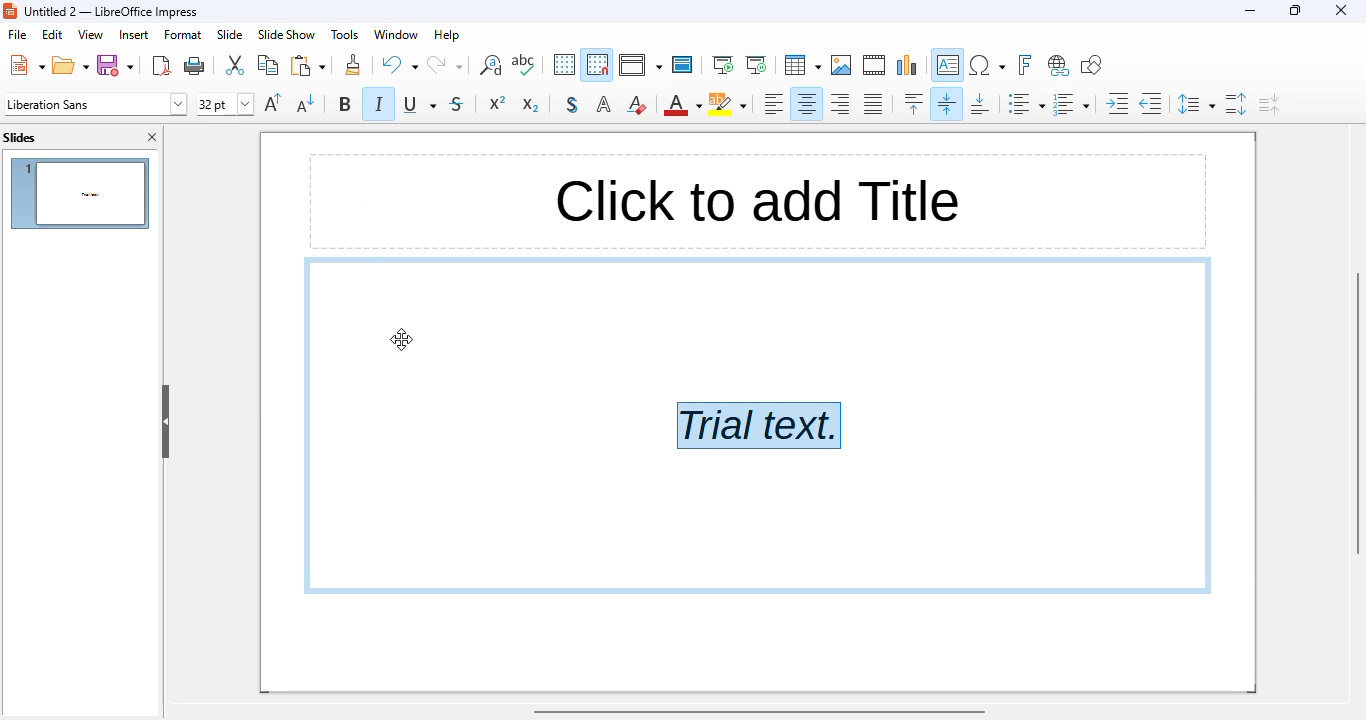  What do you see at coordinates (948, 103) in the screenshot?
I see `center vertically` at bounding box center [948, 103].